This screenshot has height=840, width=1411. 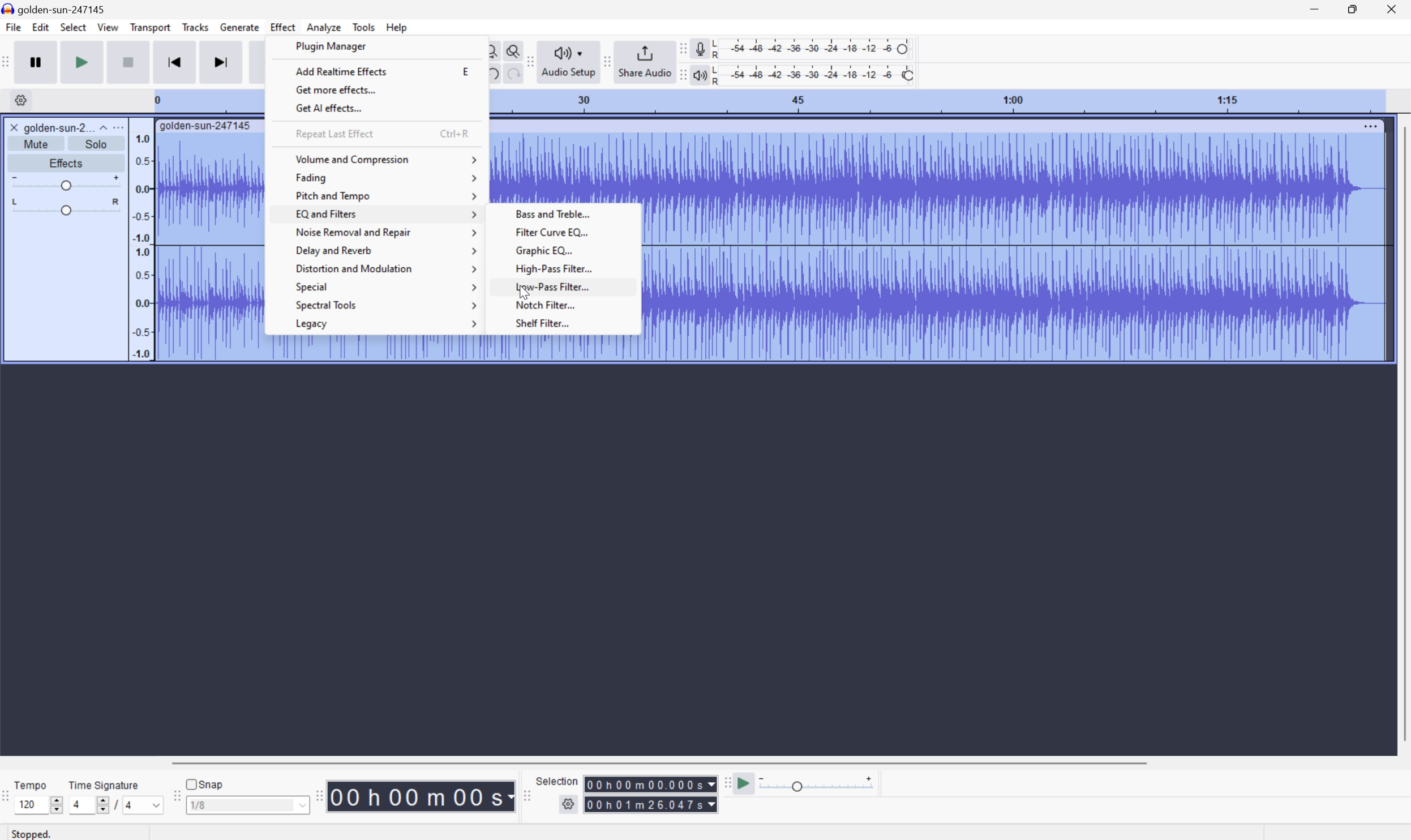 I want to click on /, so click(x=115, y=804).